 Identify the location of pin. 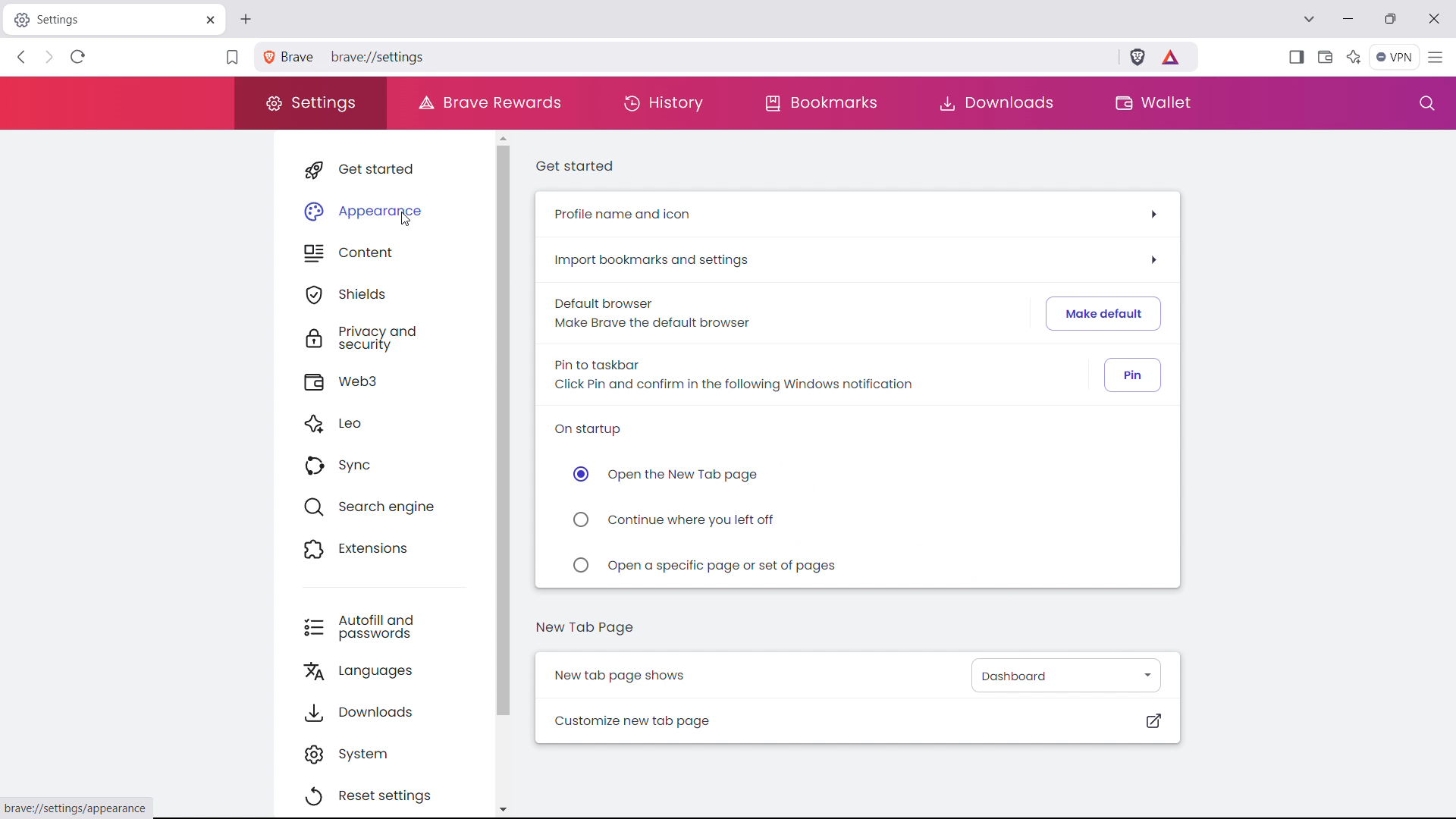
(1133, 375).